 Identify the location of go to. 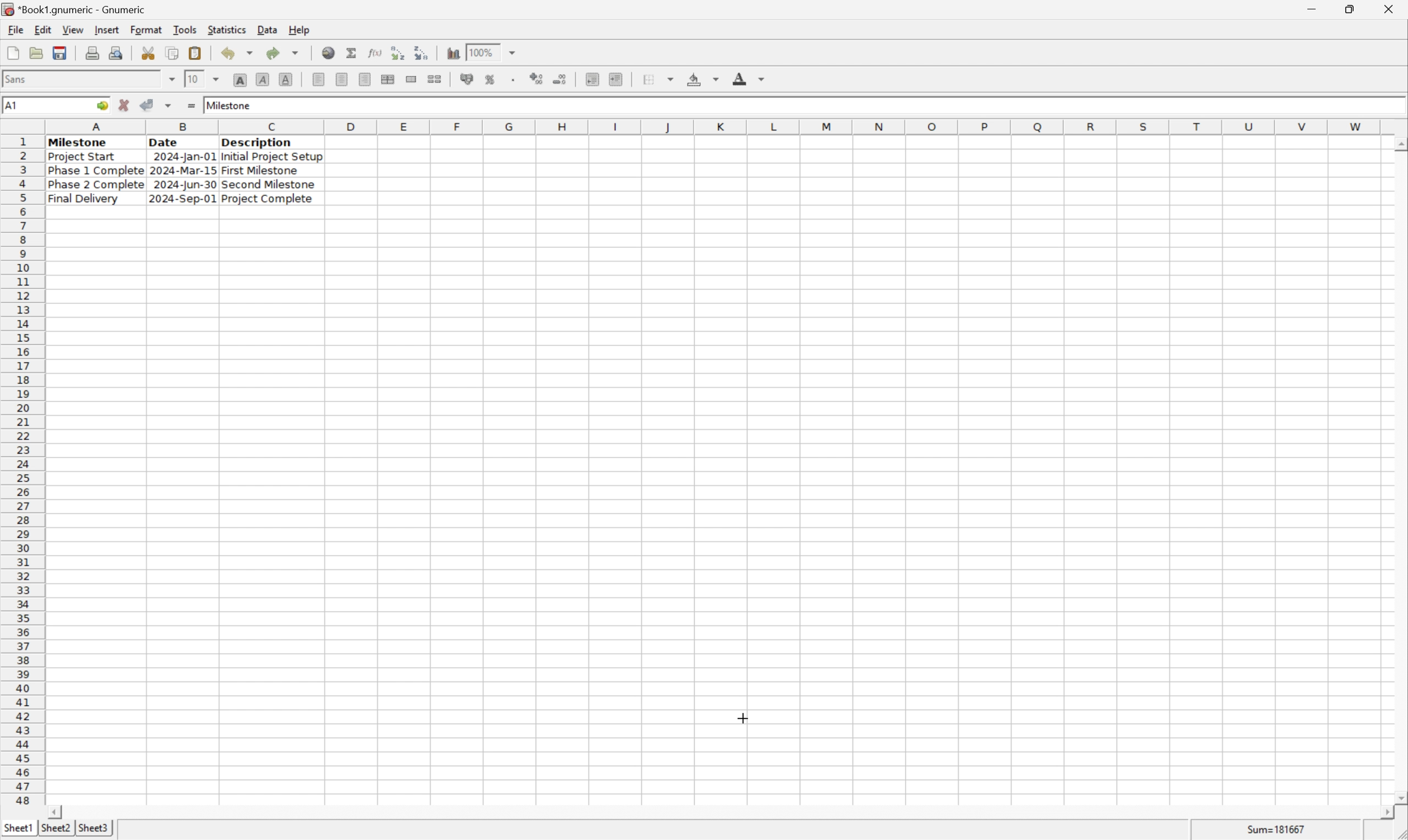
(100, 106).